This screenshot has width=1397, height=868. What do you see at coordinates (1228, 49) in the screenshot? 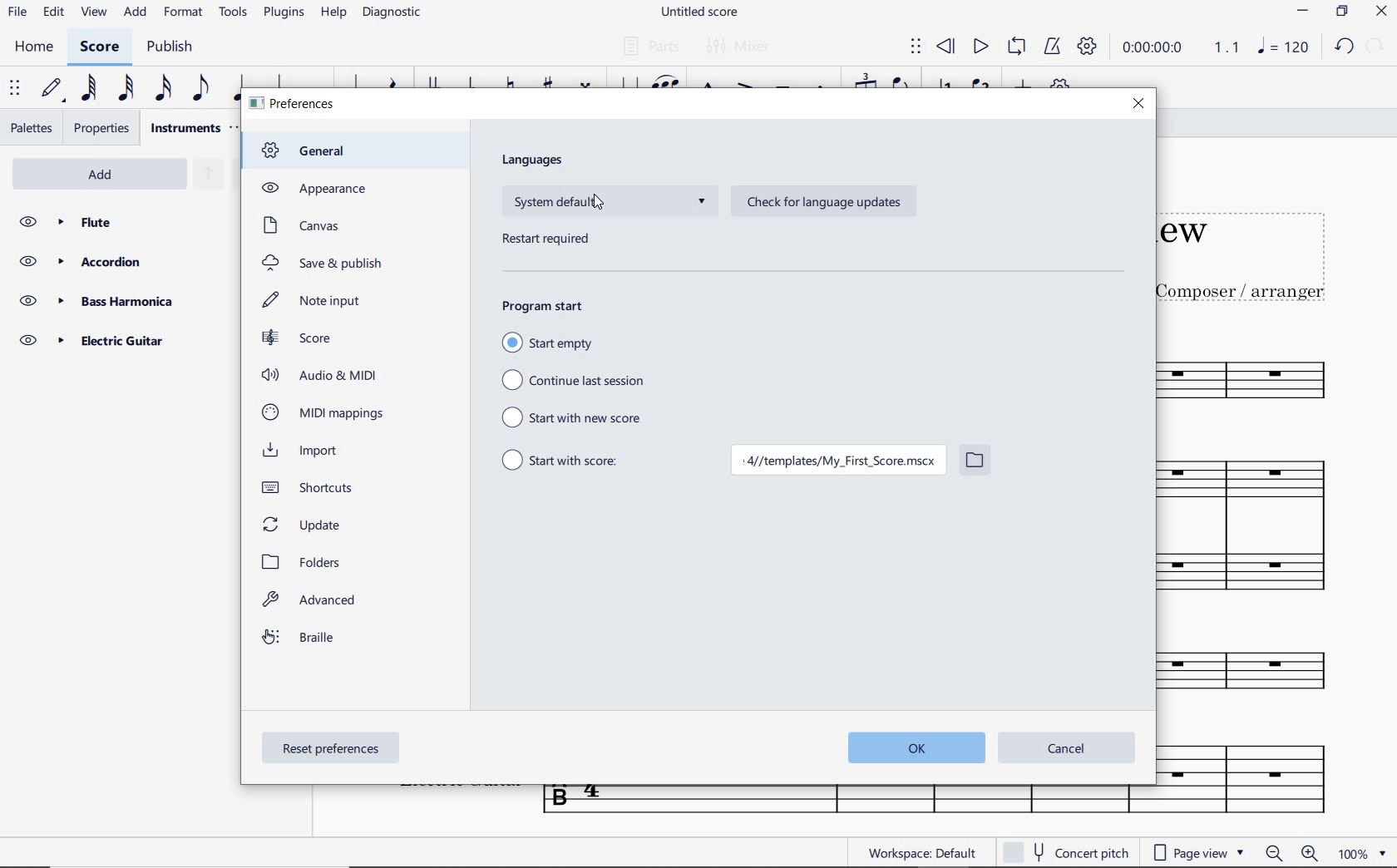
I see `Playback speed` at bounding box center [1228, 49].